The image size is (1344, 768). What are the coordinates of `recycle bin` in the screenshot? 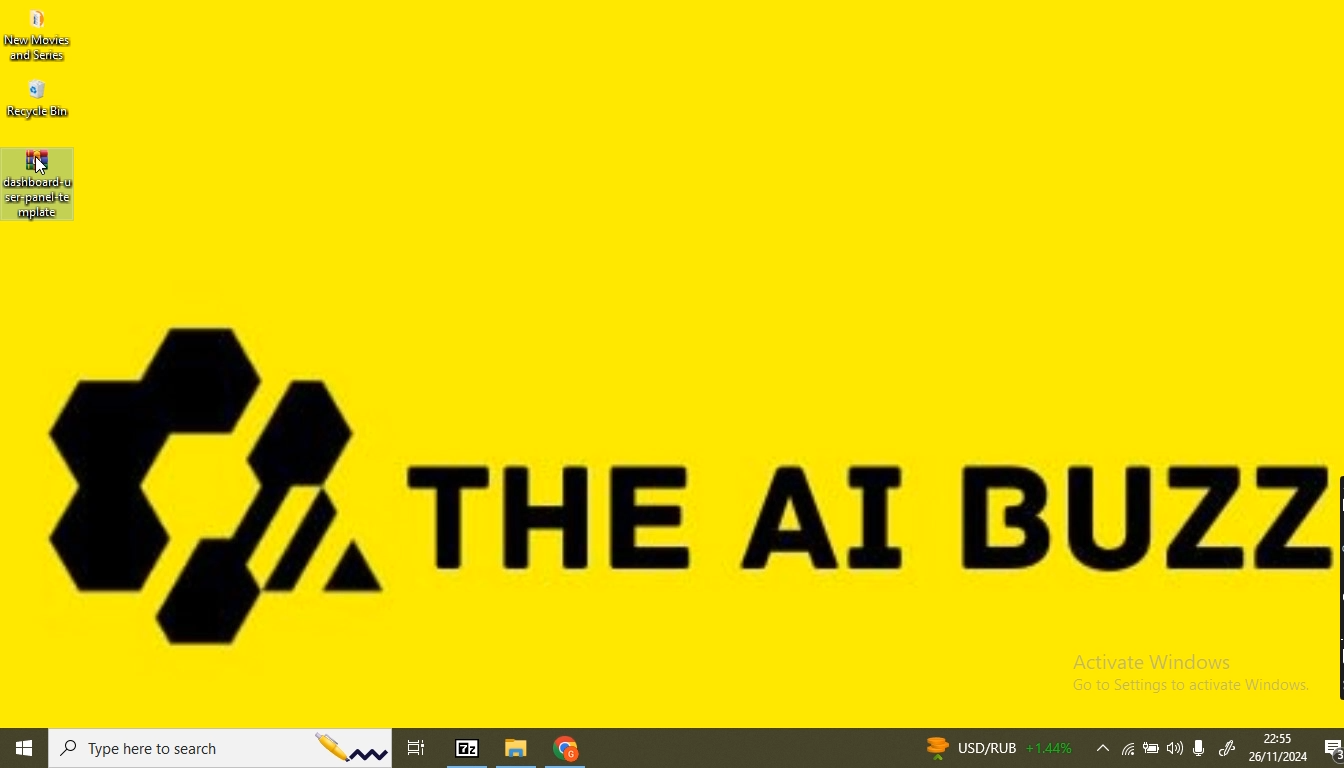 It's located at (39, 100).